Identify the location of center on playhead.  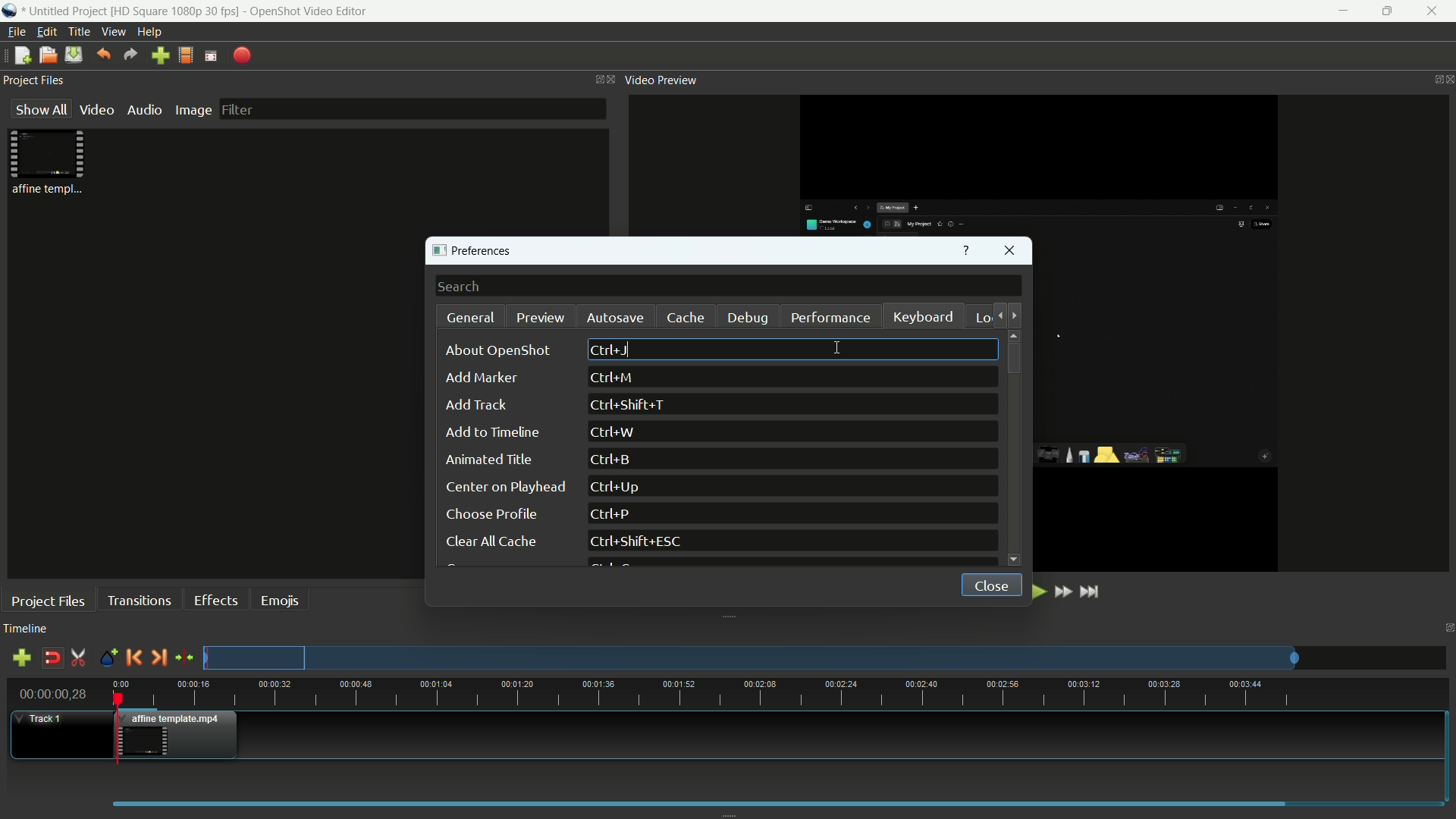
(504, 487).